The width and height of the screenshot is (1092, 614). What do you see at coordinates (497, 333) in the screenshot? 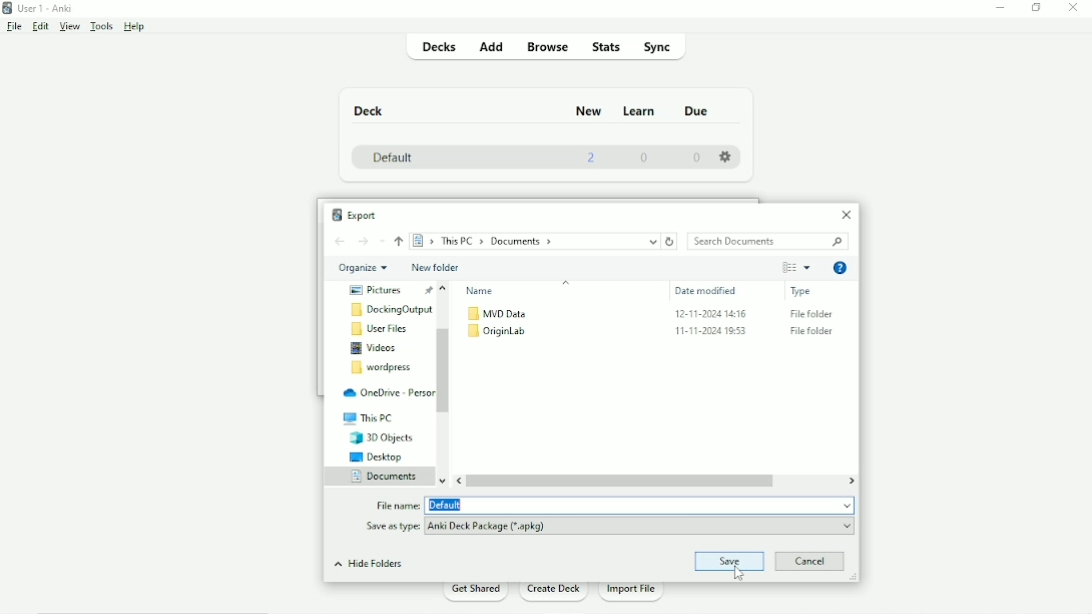
I see `OriginLab` at bounding box center [497, 333].